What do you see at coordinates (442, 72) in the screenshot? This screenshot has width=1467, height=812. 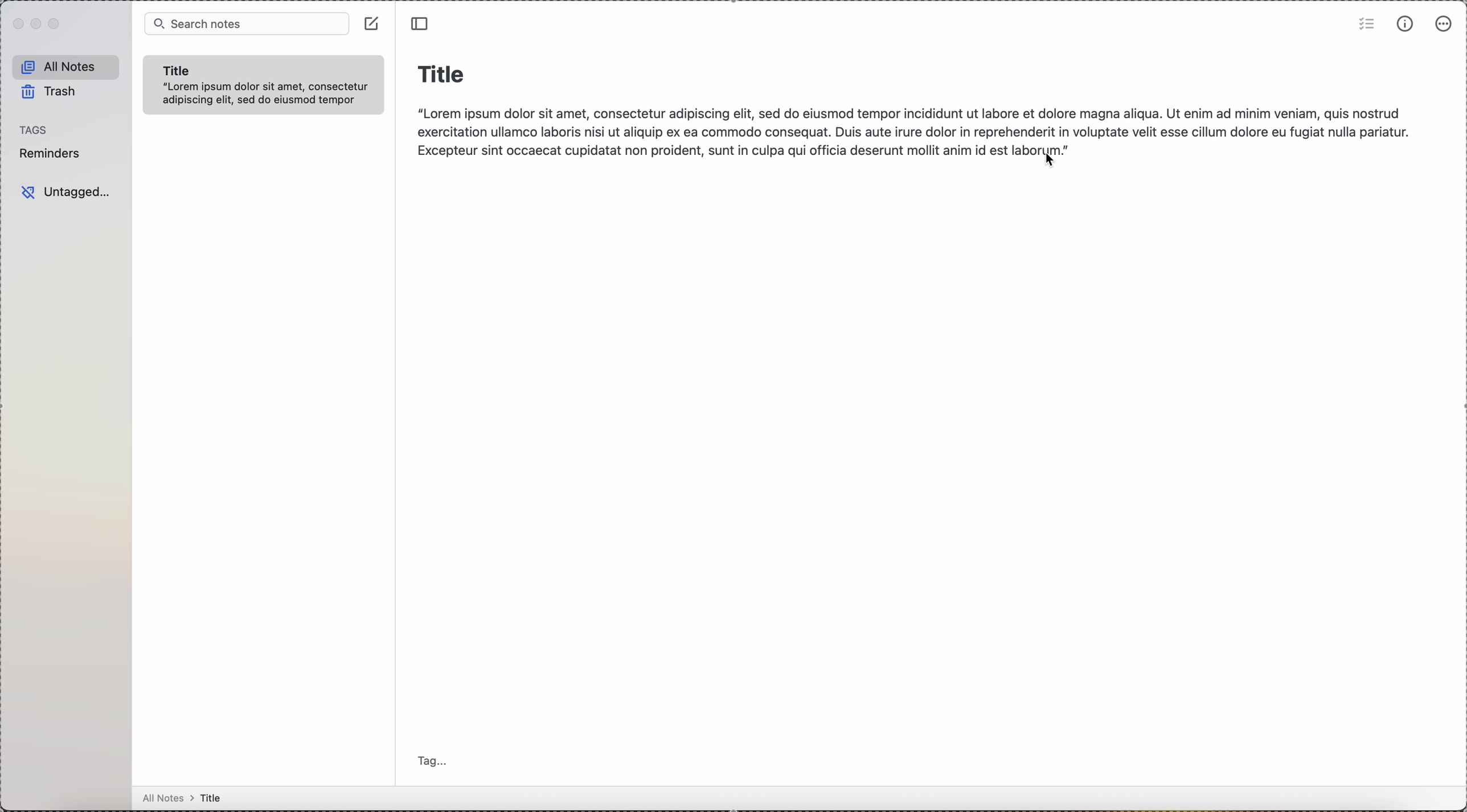 I see `title` at bounding box center [442, 72].